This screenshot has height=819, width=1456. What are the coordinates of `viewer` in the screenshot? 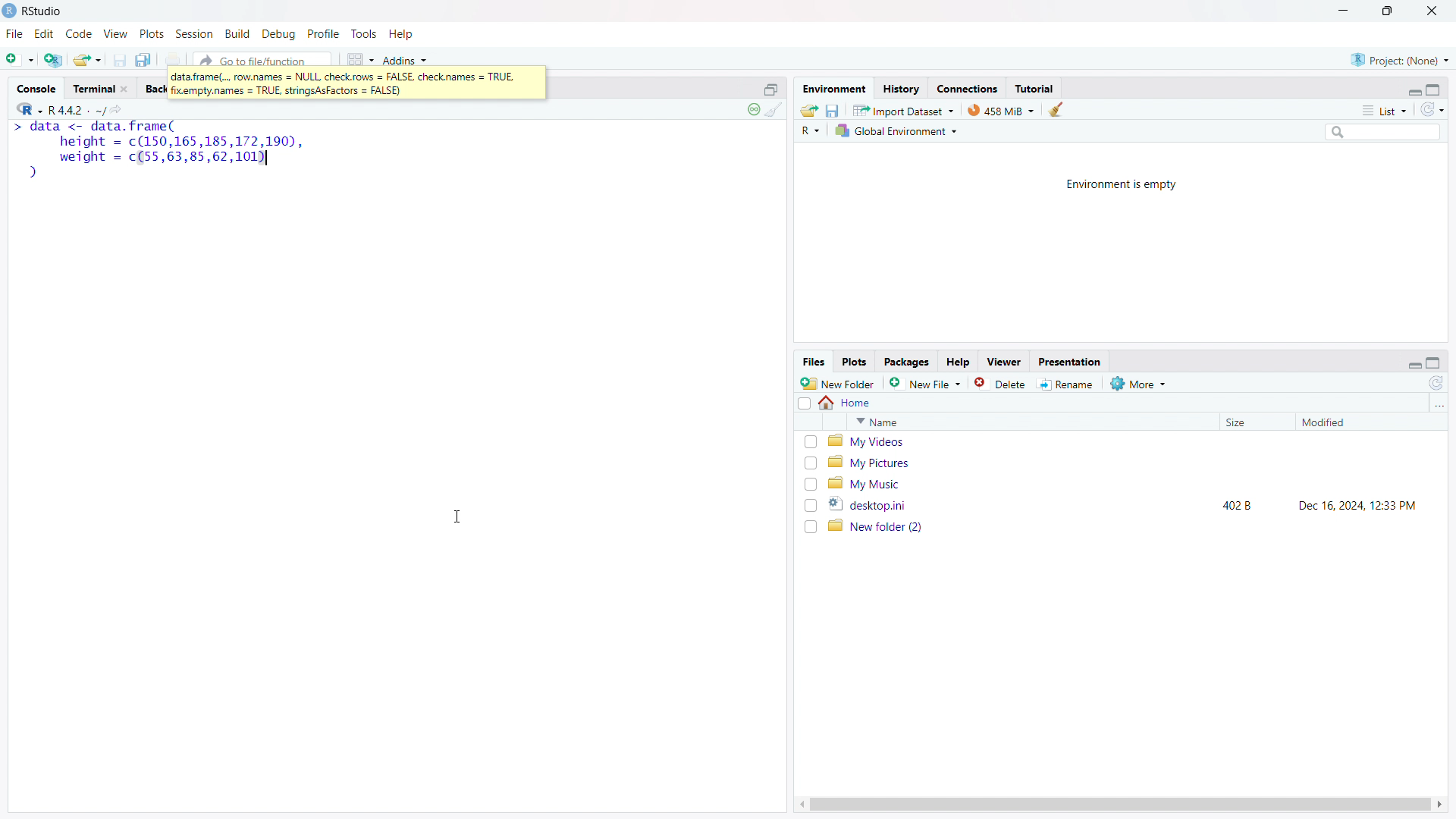 It's located at (1004, 362).